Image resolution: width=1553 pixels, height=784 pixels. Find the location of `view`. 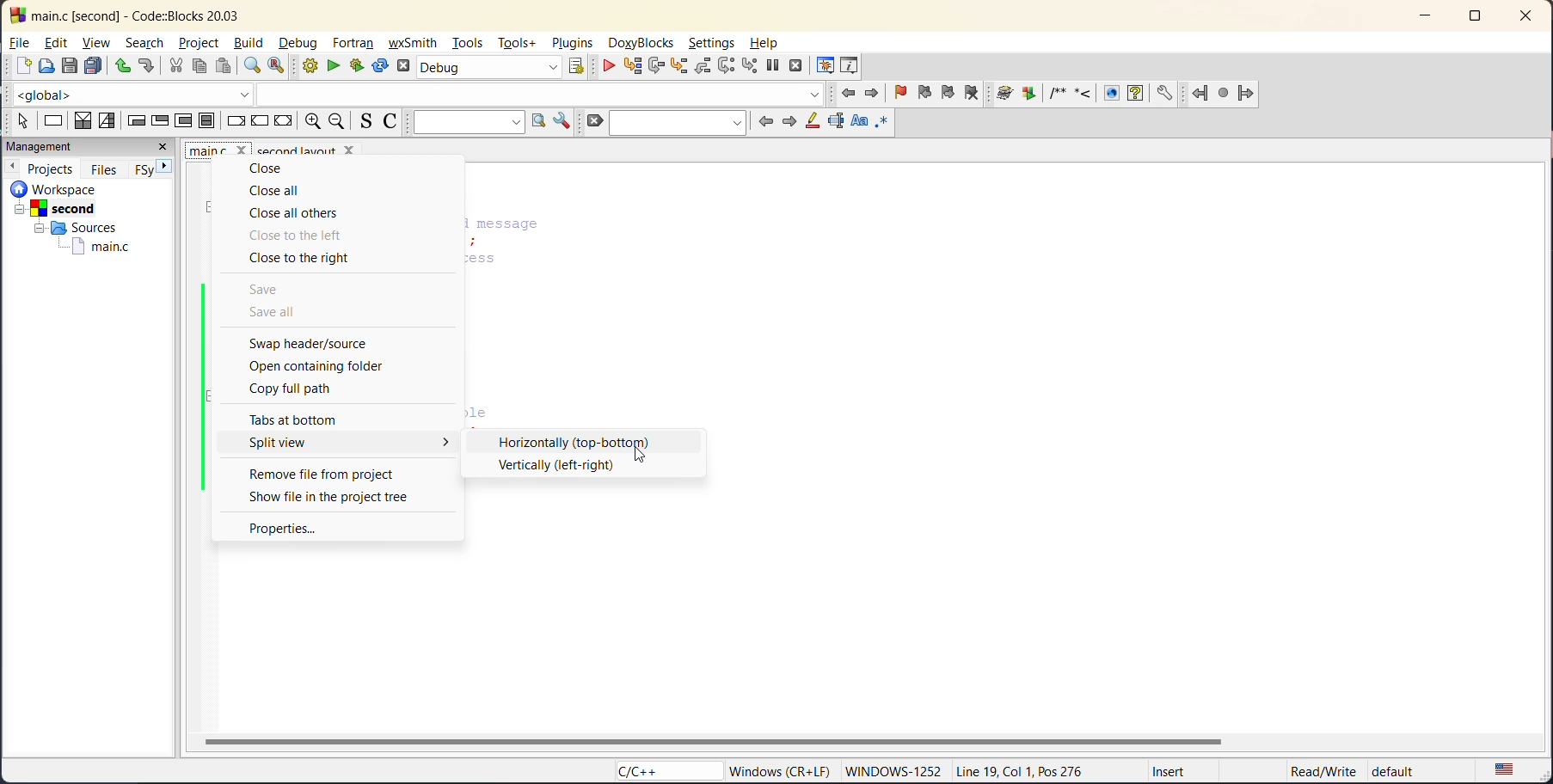

view is located at coordinates (96, 44).